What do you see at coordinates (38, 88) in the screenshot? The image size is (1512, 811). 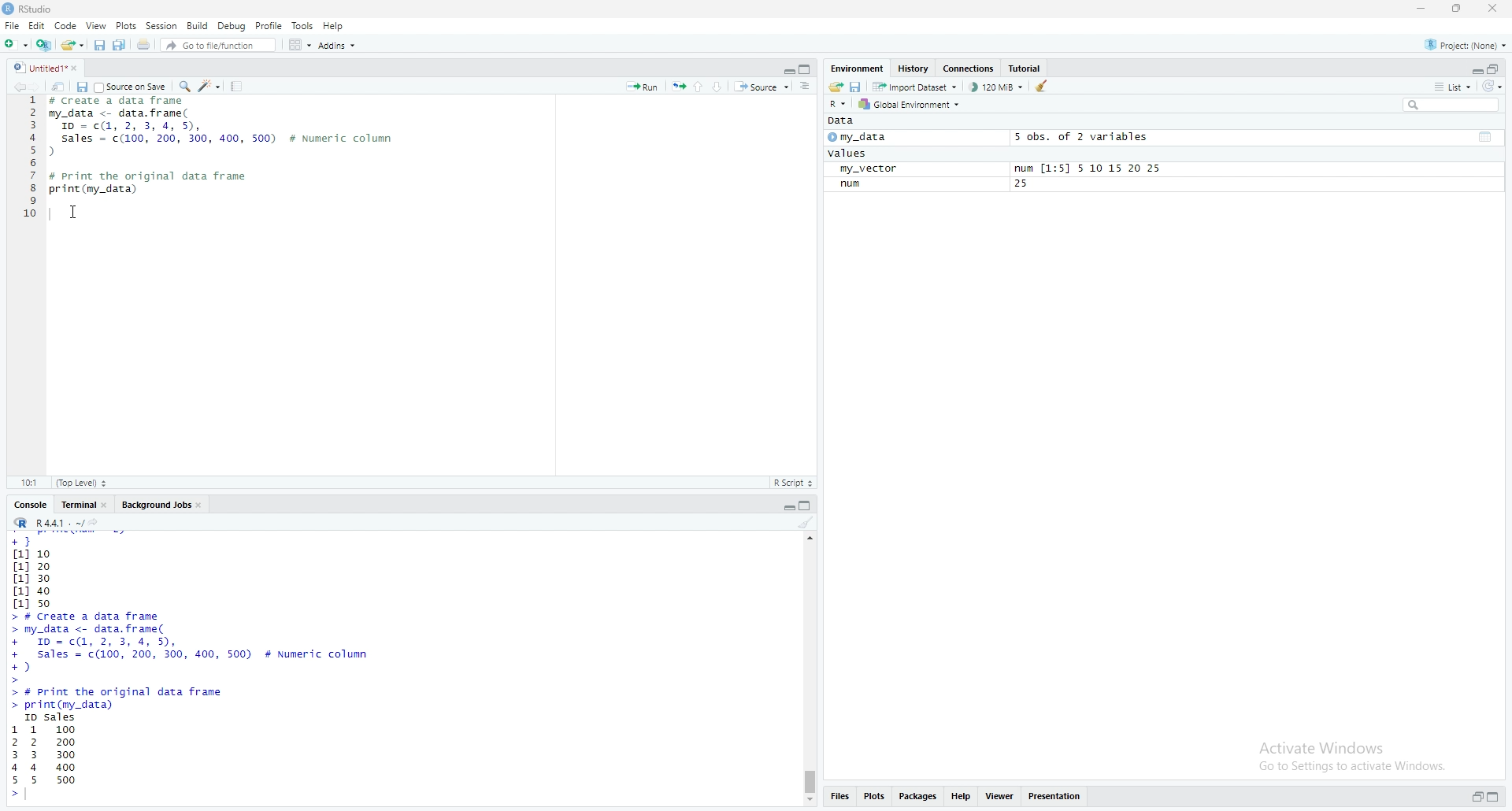 I see `Go forward to the next location` at bounding box center [38, 88].